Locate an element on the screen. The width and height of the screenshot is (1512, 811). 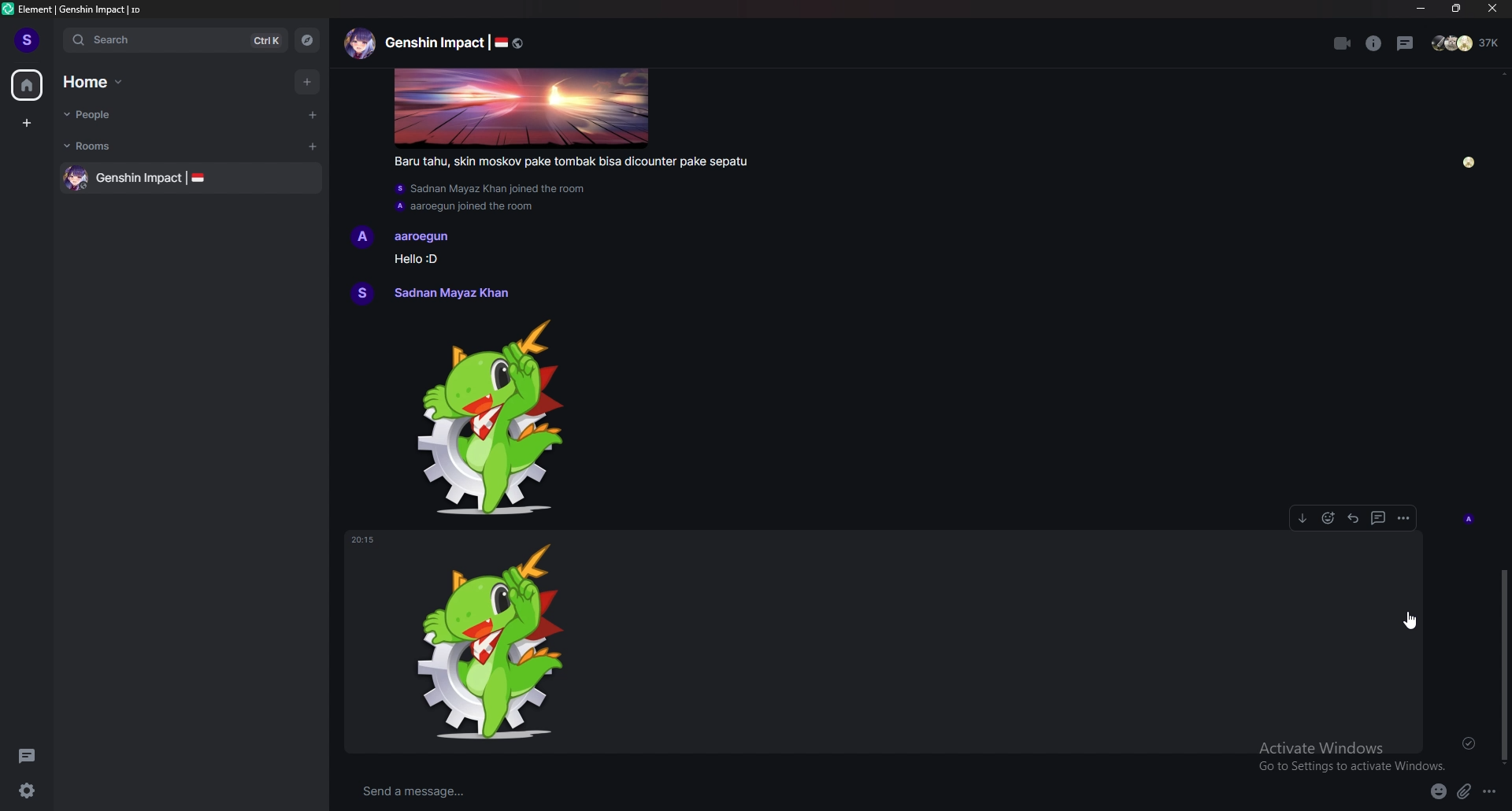
home is located at coordinates (27, 86).